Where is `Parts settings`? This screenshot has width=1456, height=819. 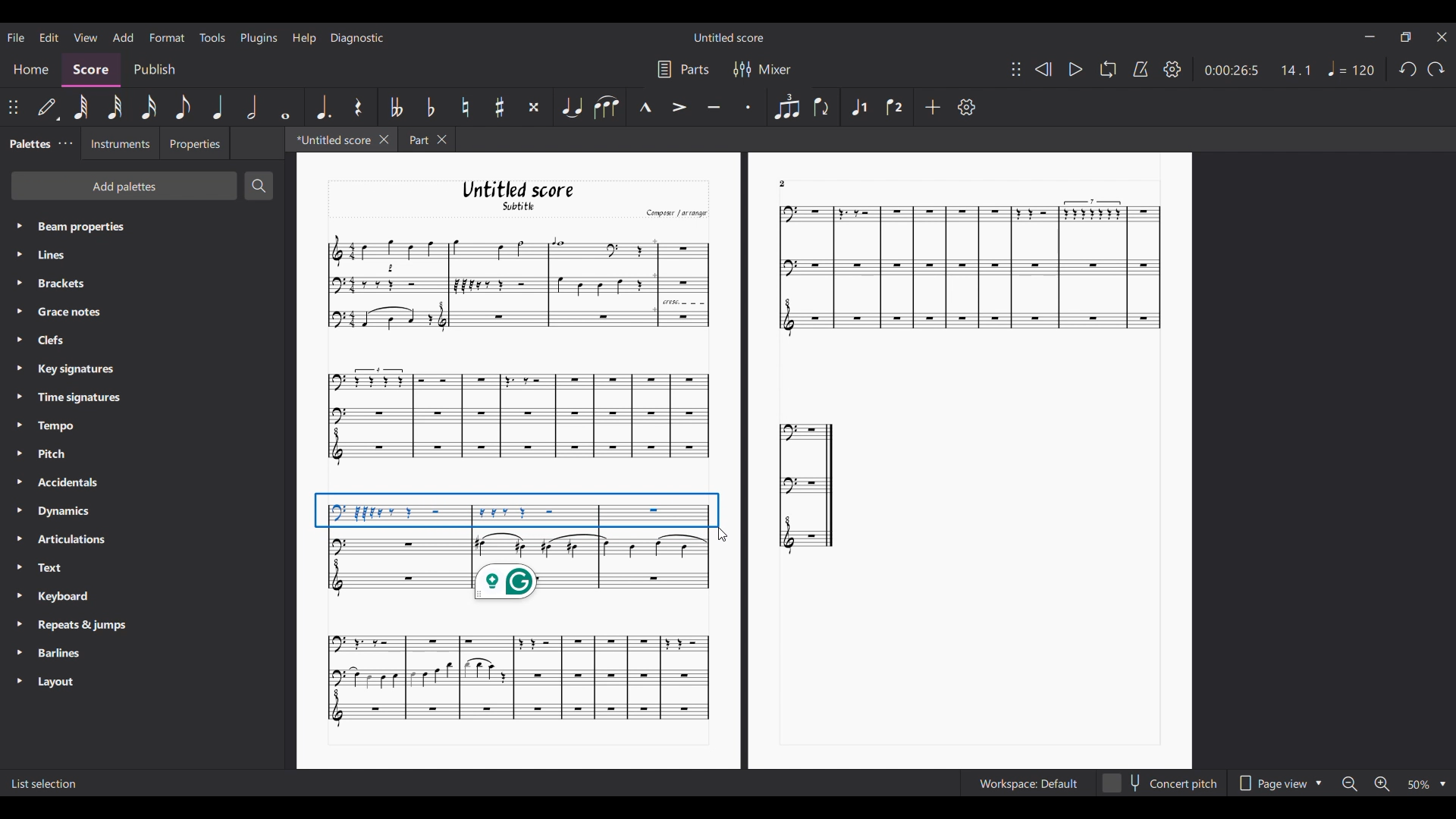 Parts settings is located at coordinates (684, 69).